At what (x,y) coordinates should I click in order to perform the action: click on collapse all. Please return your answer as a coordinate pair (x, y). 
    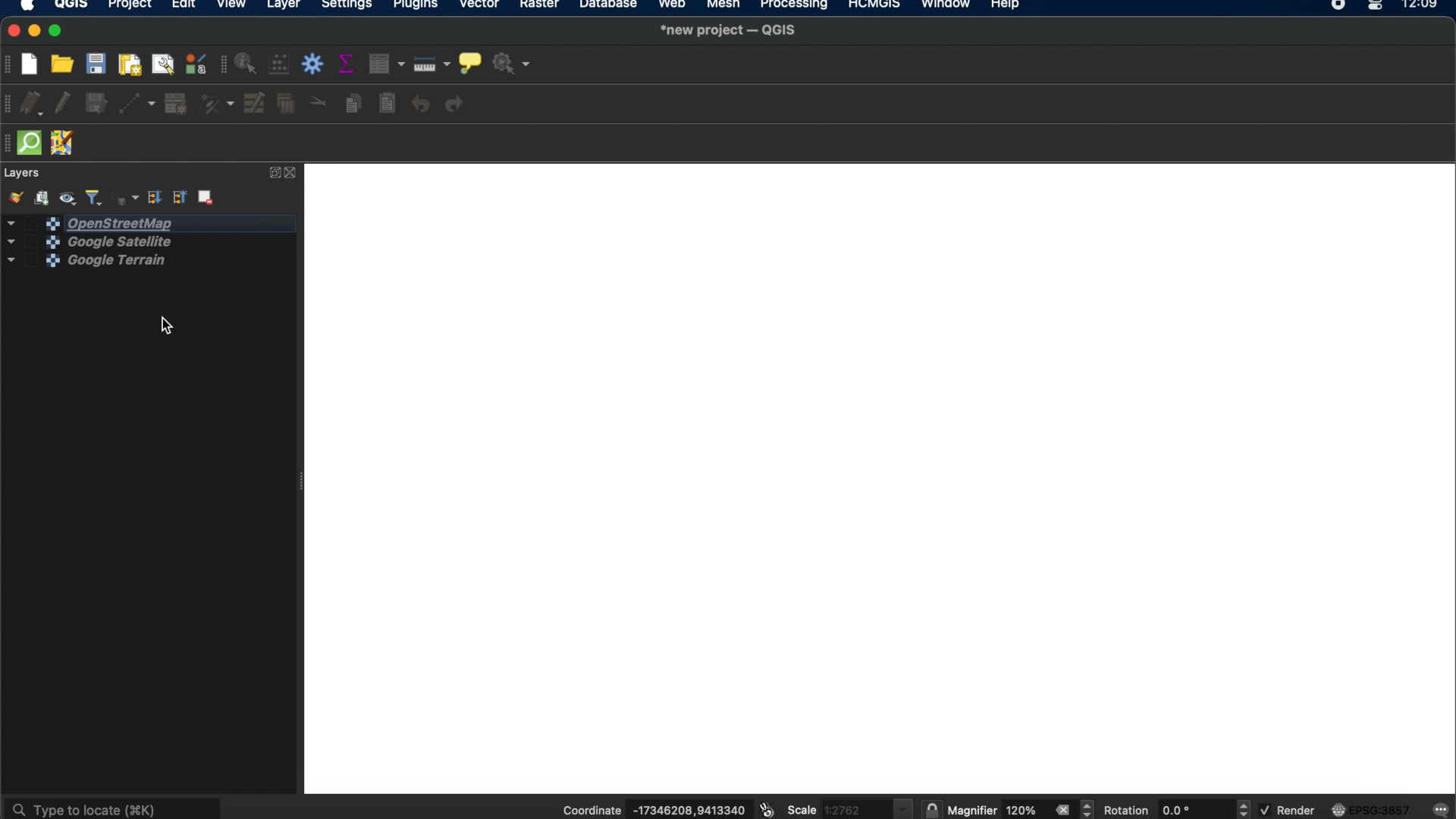
    Looking at the image, I should click on (180, 198).